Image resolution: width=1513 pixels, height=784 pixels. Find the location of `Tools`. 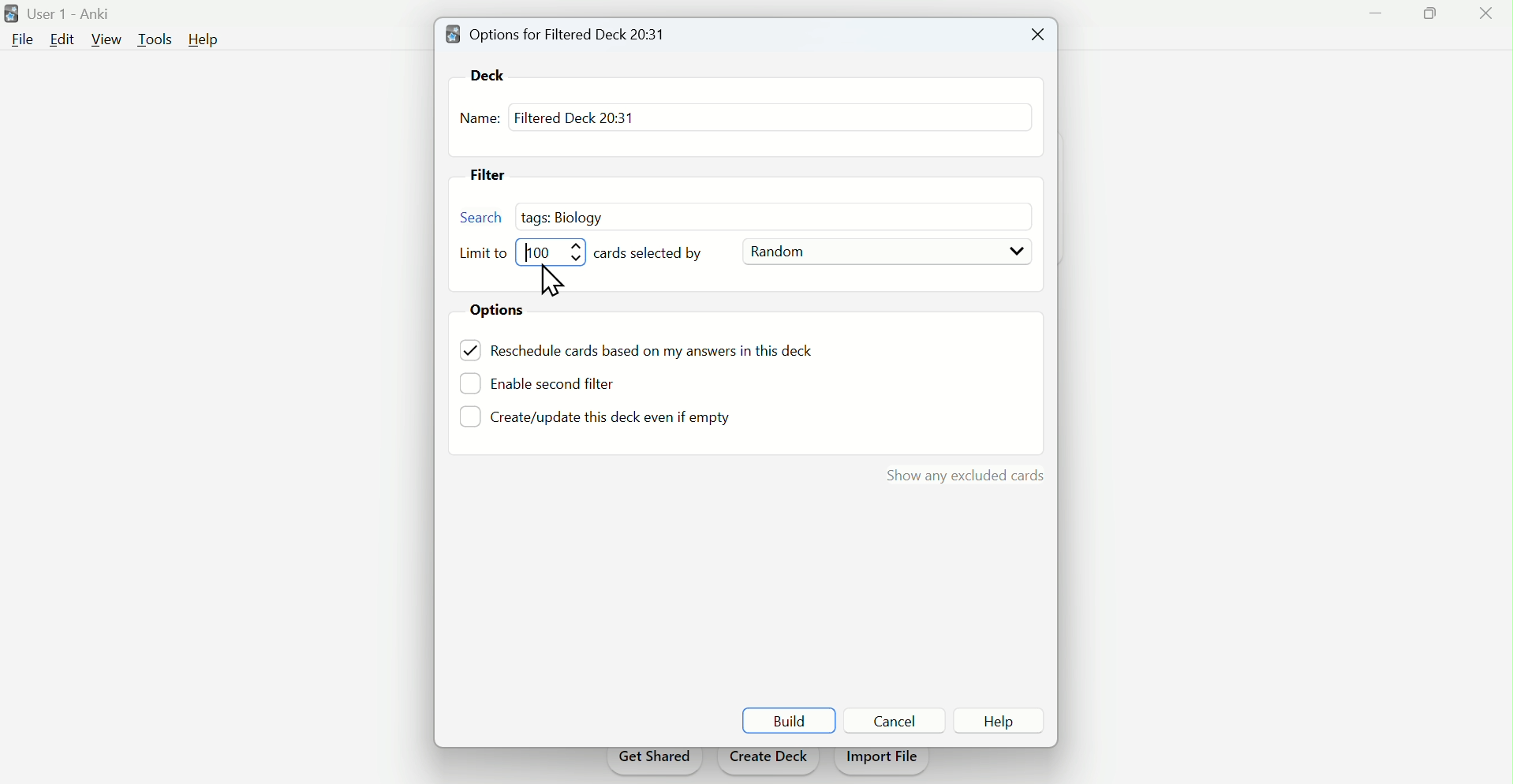

Tools is located at coordinates (158, 38).